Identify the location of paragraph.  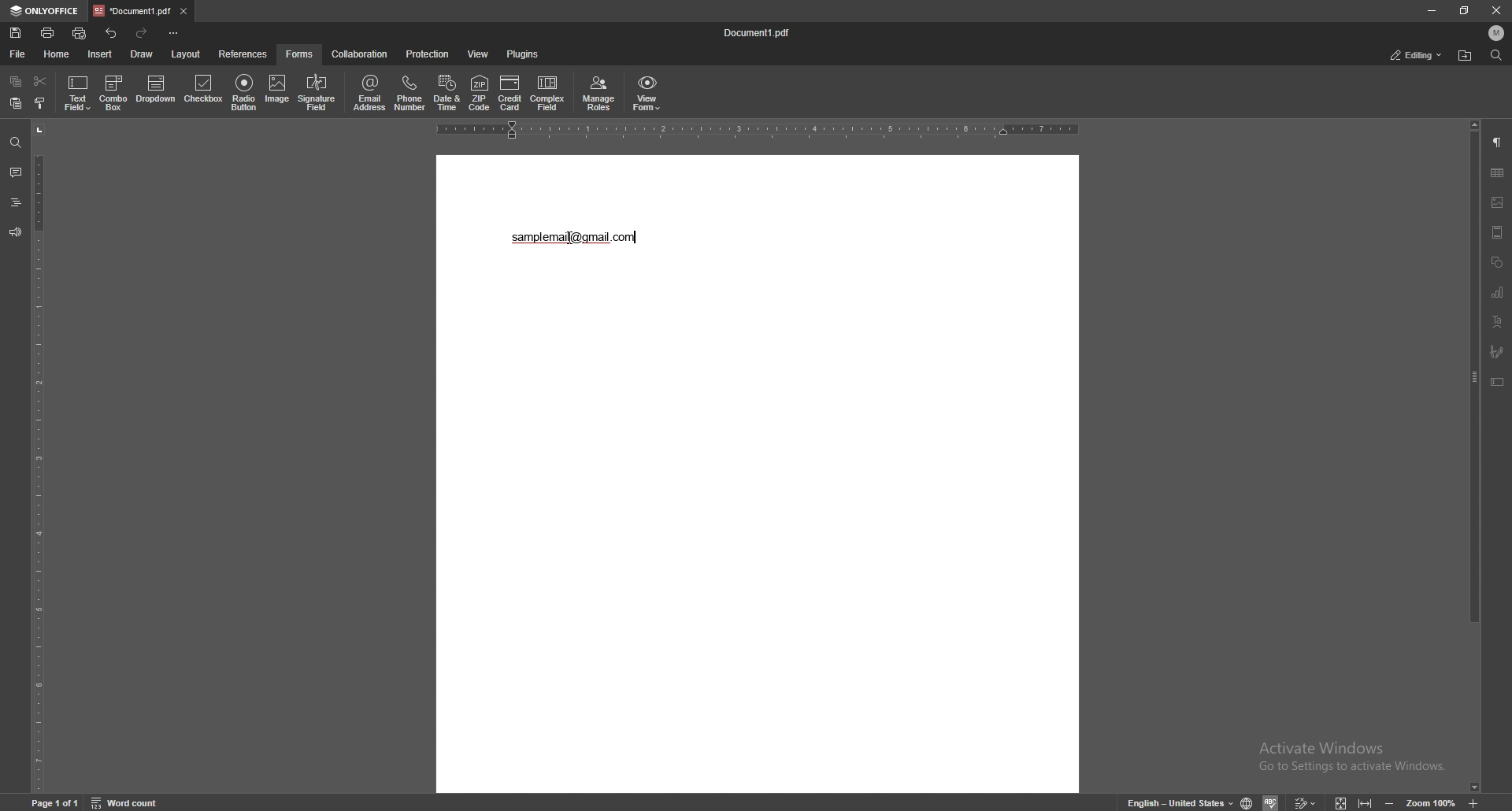
(1498, 141).